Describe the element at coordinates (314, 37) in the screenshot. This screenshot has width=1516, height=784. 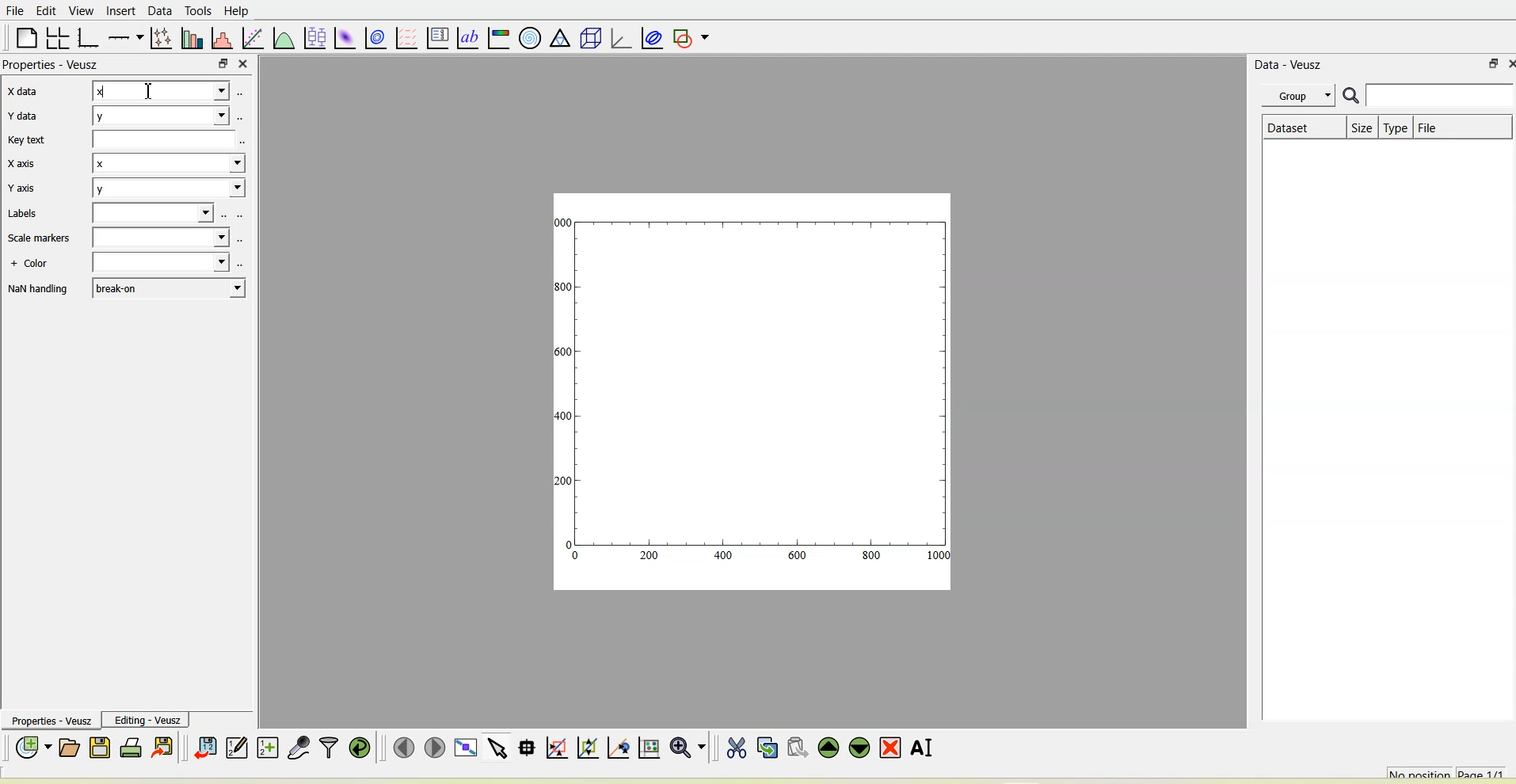
I see `plot box plots` at that location.